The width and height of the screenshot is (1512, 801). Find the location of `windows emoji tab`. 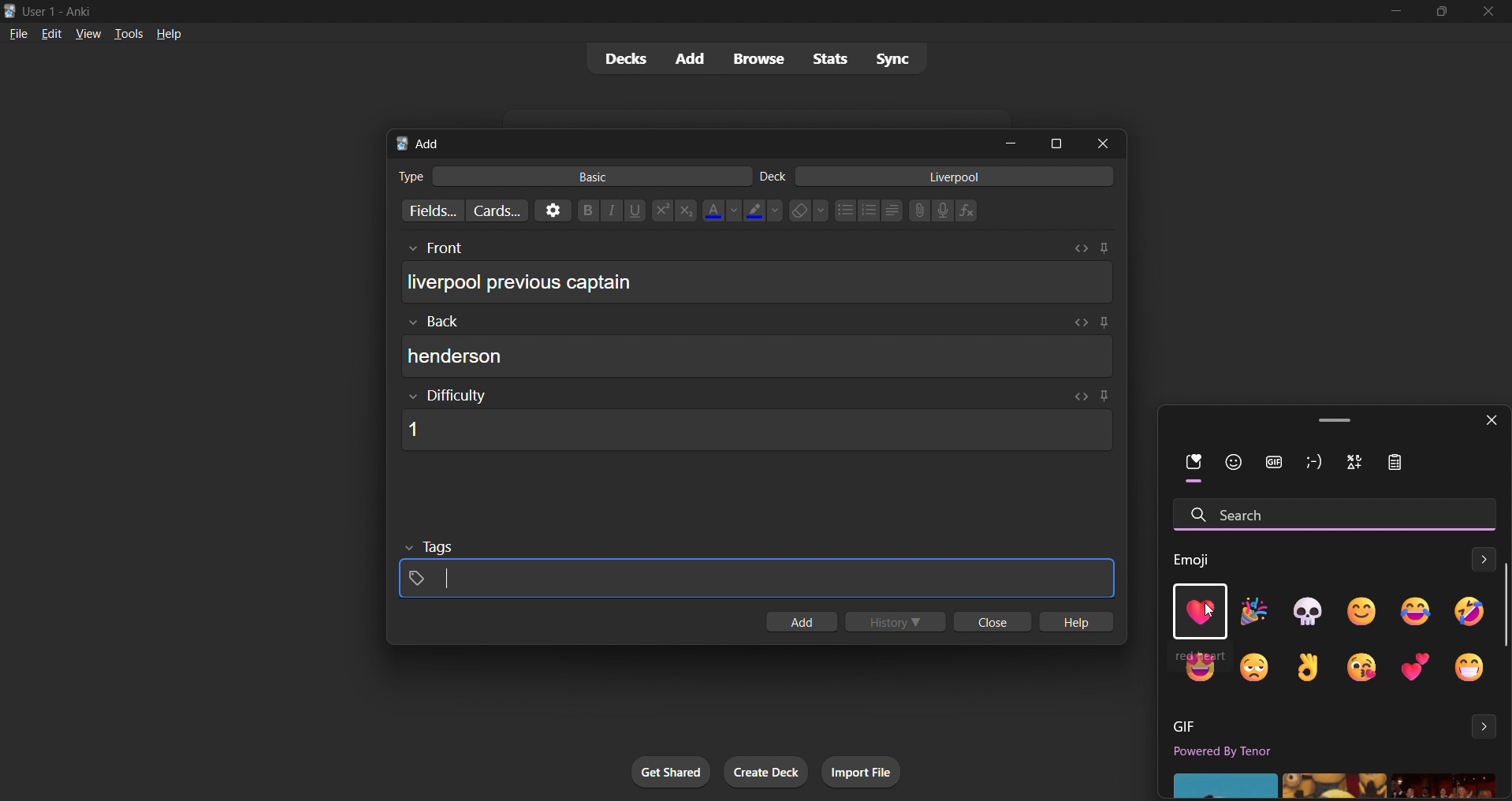

windows emoji tab is located at coordinates (1313, 418).